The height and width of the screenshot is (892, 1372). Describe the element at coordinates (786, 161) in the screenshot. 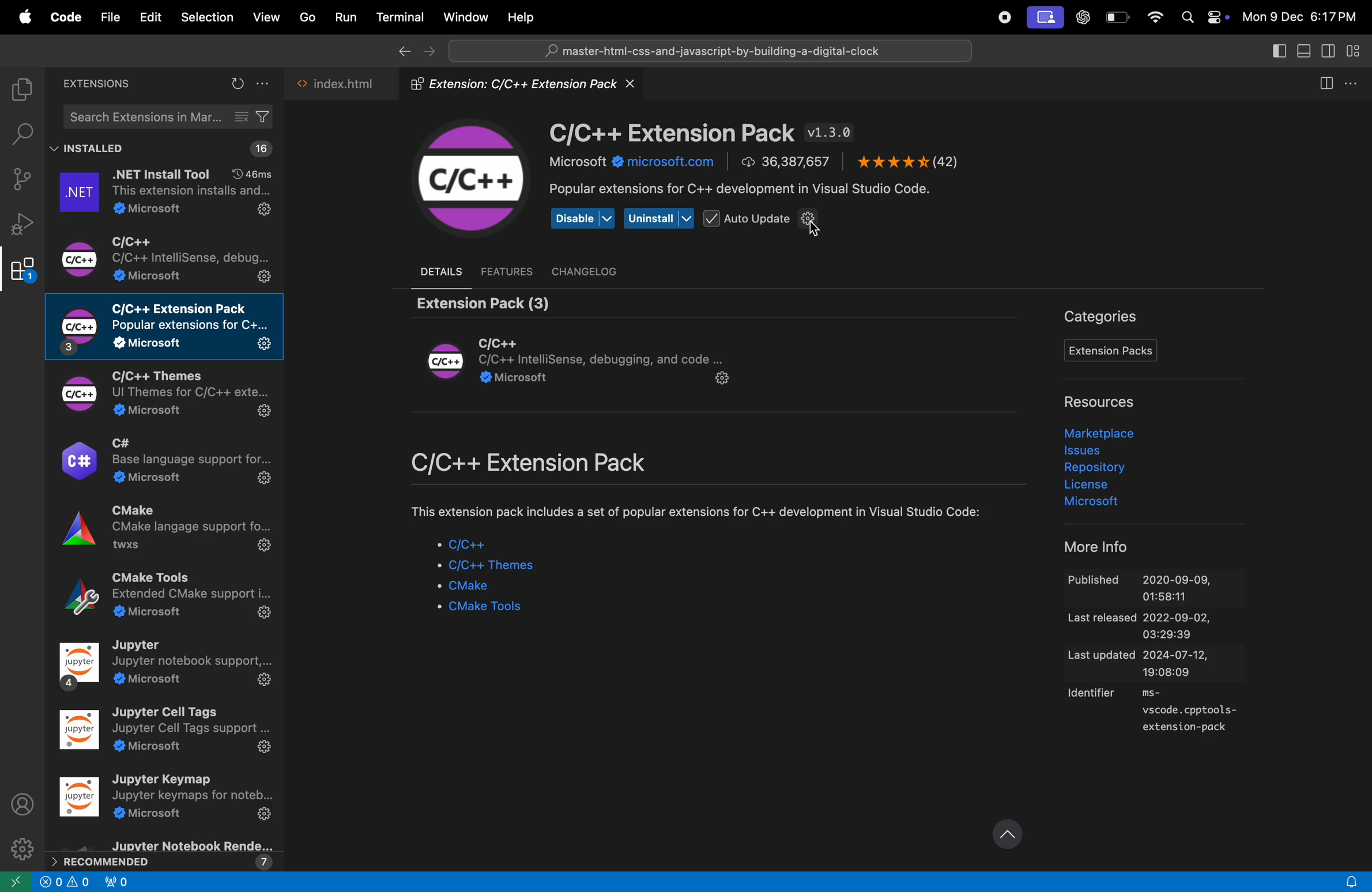

I see `number of downloads` at that location.